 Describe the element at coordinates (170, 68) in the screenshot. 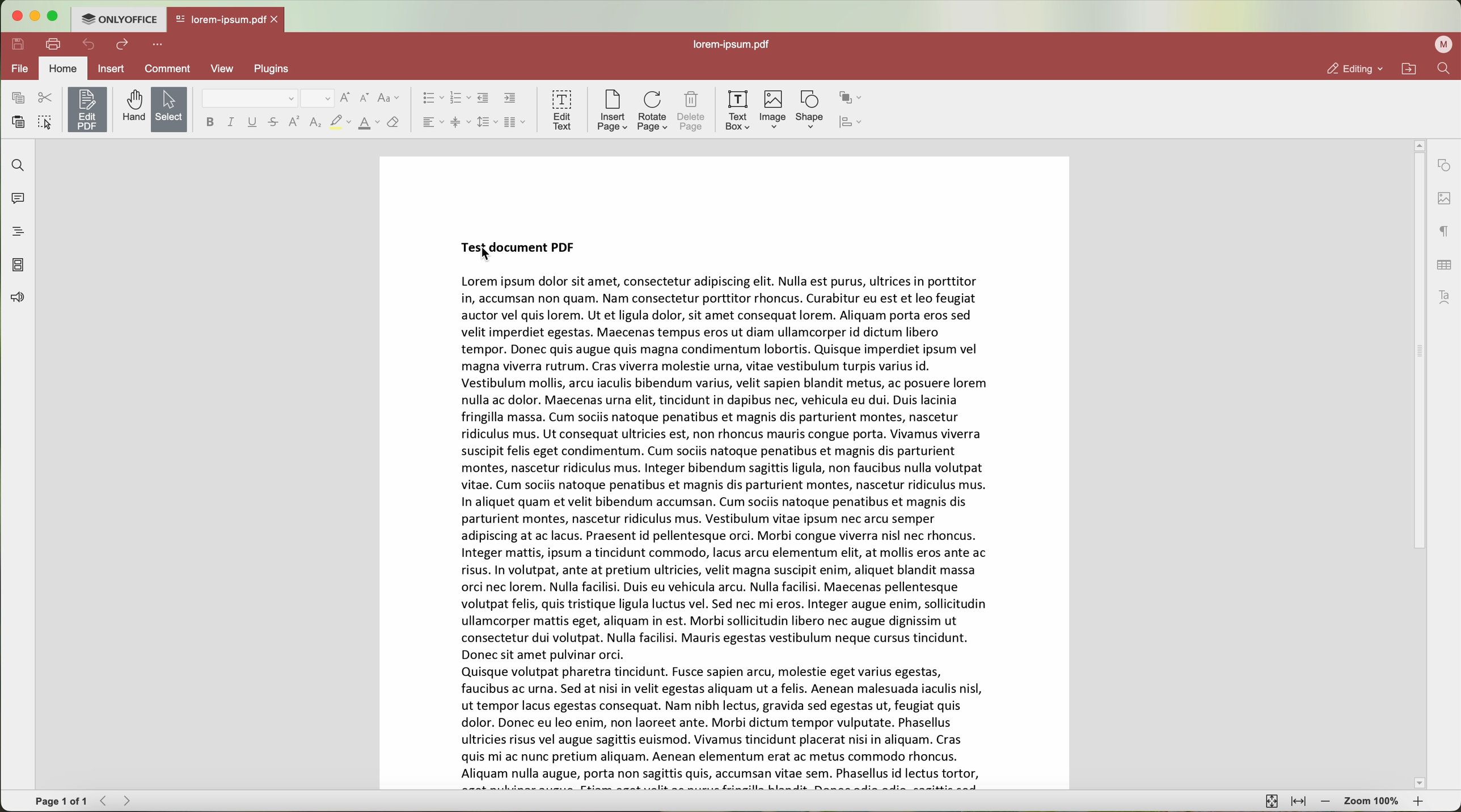

I see `comment` at that location.